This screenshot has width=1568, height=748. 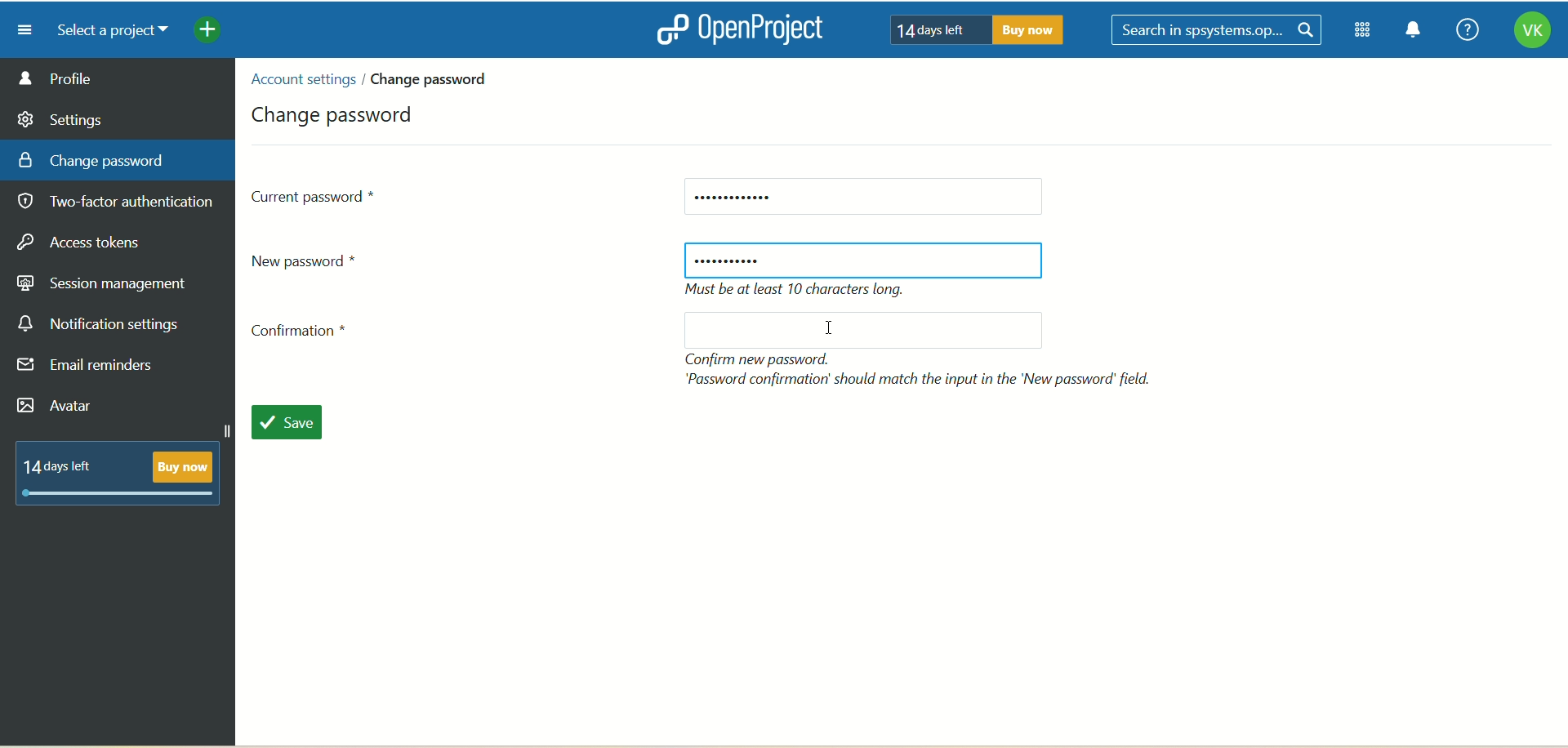 I want to click on email reminders, so click(x=90, y=368).